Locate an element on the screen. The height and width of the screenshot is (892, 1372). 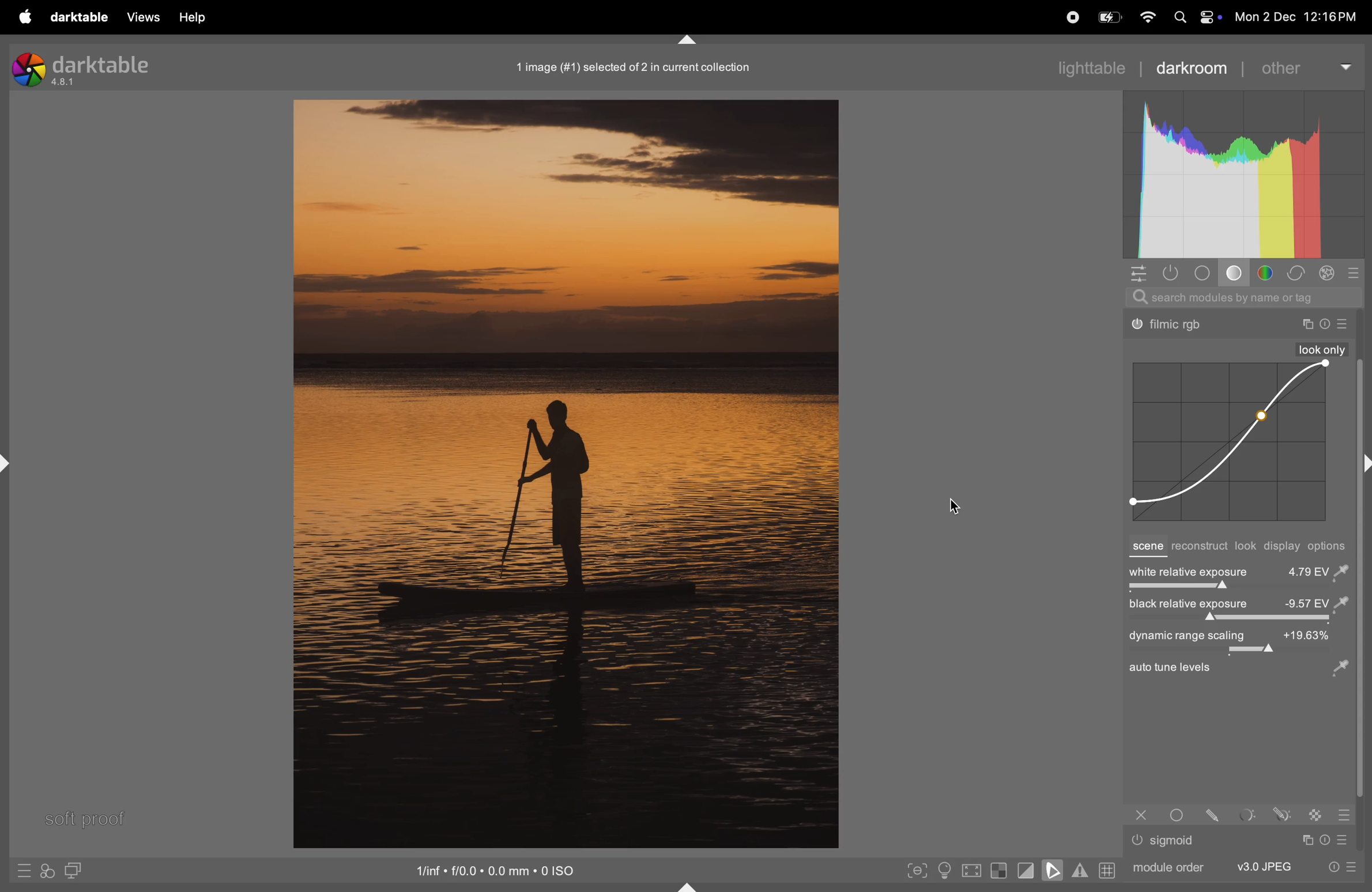
toggle iso is located at coordinates (948, 871).